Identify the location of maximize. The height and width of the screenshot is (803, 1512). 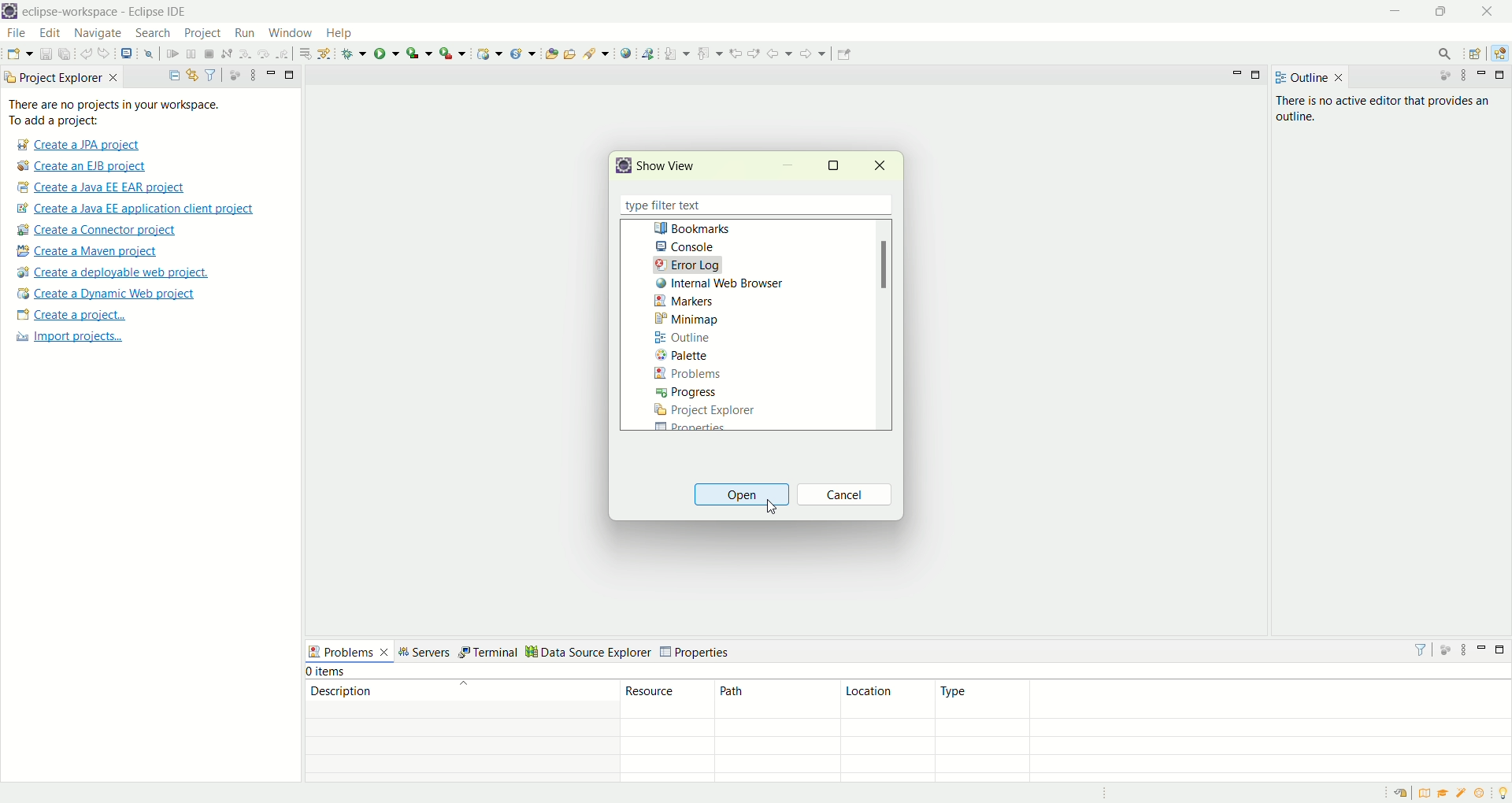
(1500, 651).